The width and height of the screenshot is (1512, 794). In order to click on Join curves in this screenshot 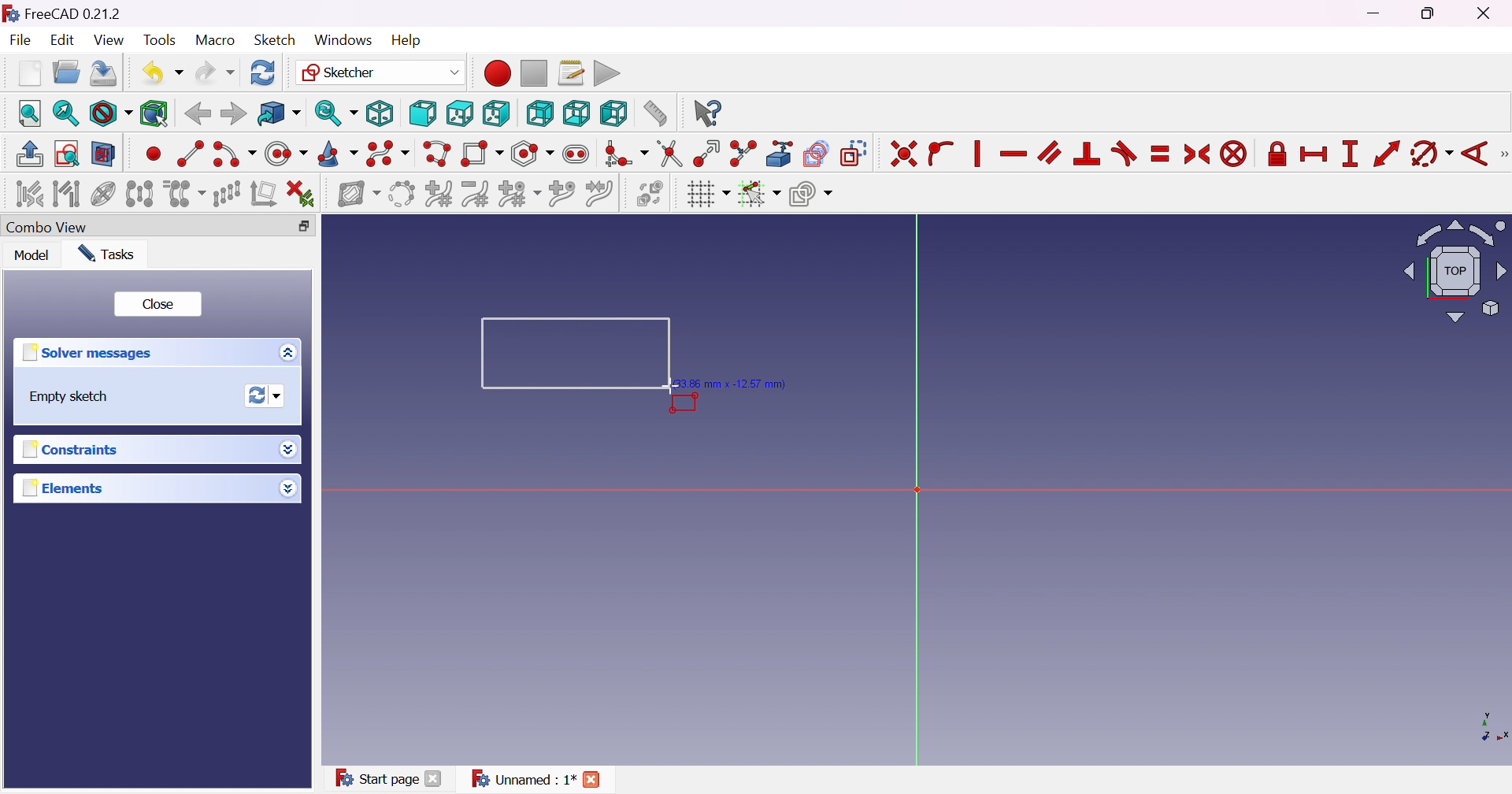, I will do `click(598, 194)`.